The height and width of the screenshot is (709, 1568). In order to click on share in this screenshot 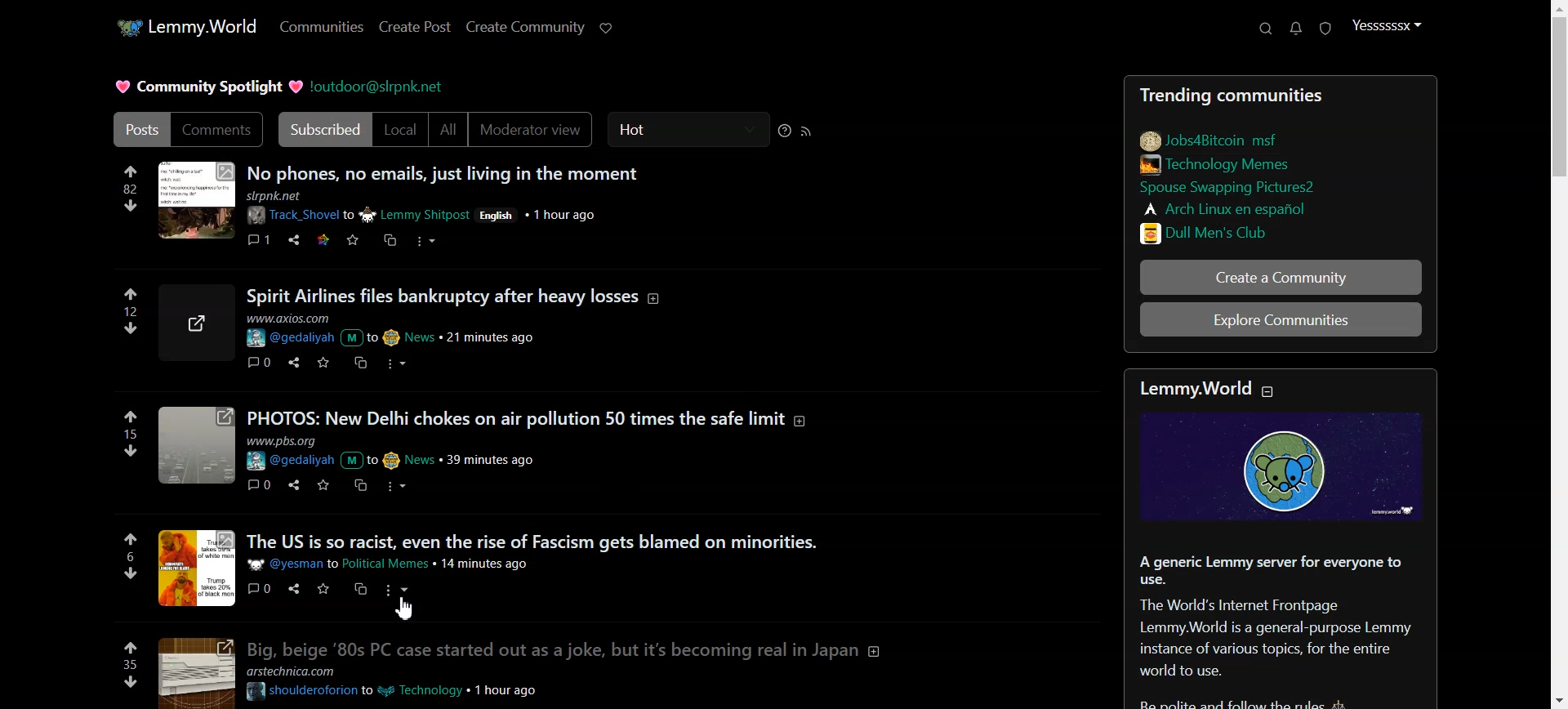, I will do `click(291, 589)`.